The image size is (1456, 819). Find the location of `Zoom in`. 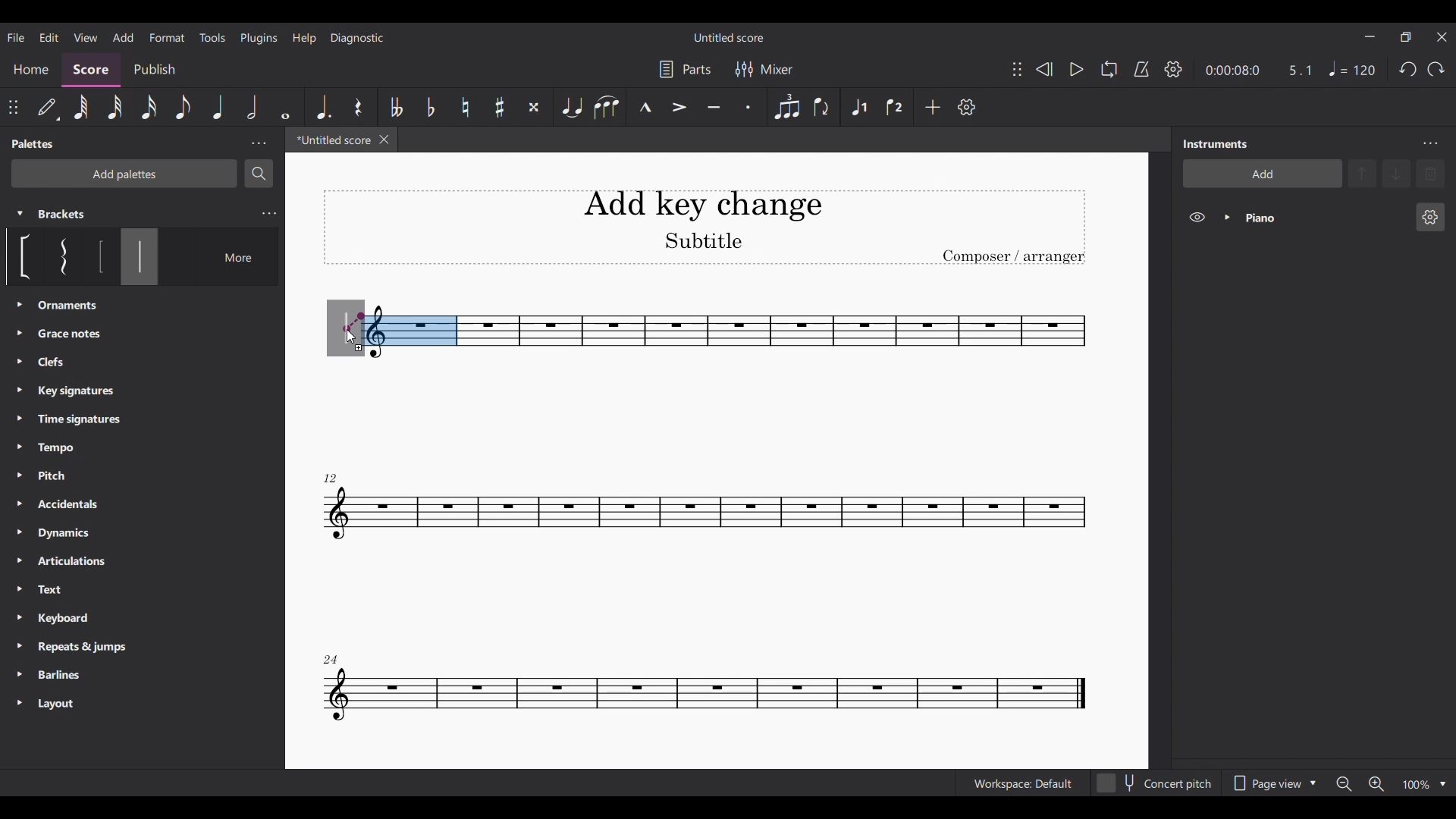

Zoom in is located at coordinates (1376, 784).